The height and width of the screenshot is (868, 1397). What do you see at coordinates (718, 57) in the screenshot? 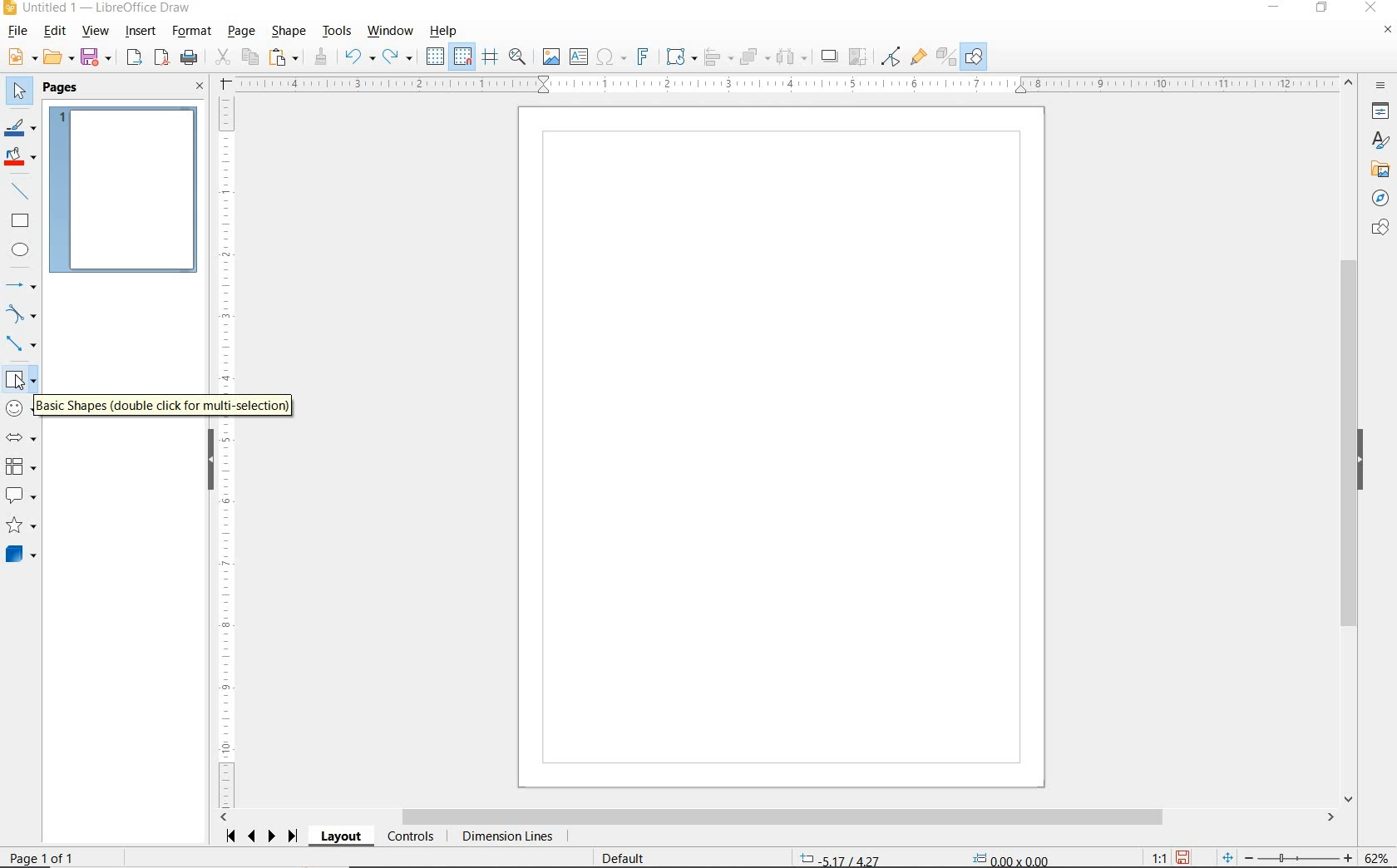
I see `ALIGN OBJECTS` at bounding box center [718, 57].